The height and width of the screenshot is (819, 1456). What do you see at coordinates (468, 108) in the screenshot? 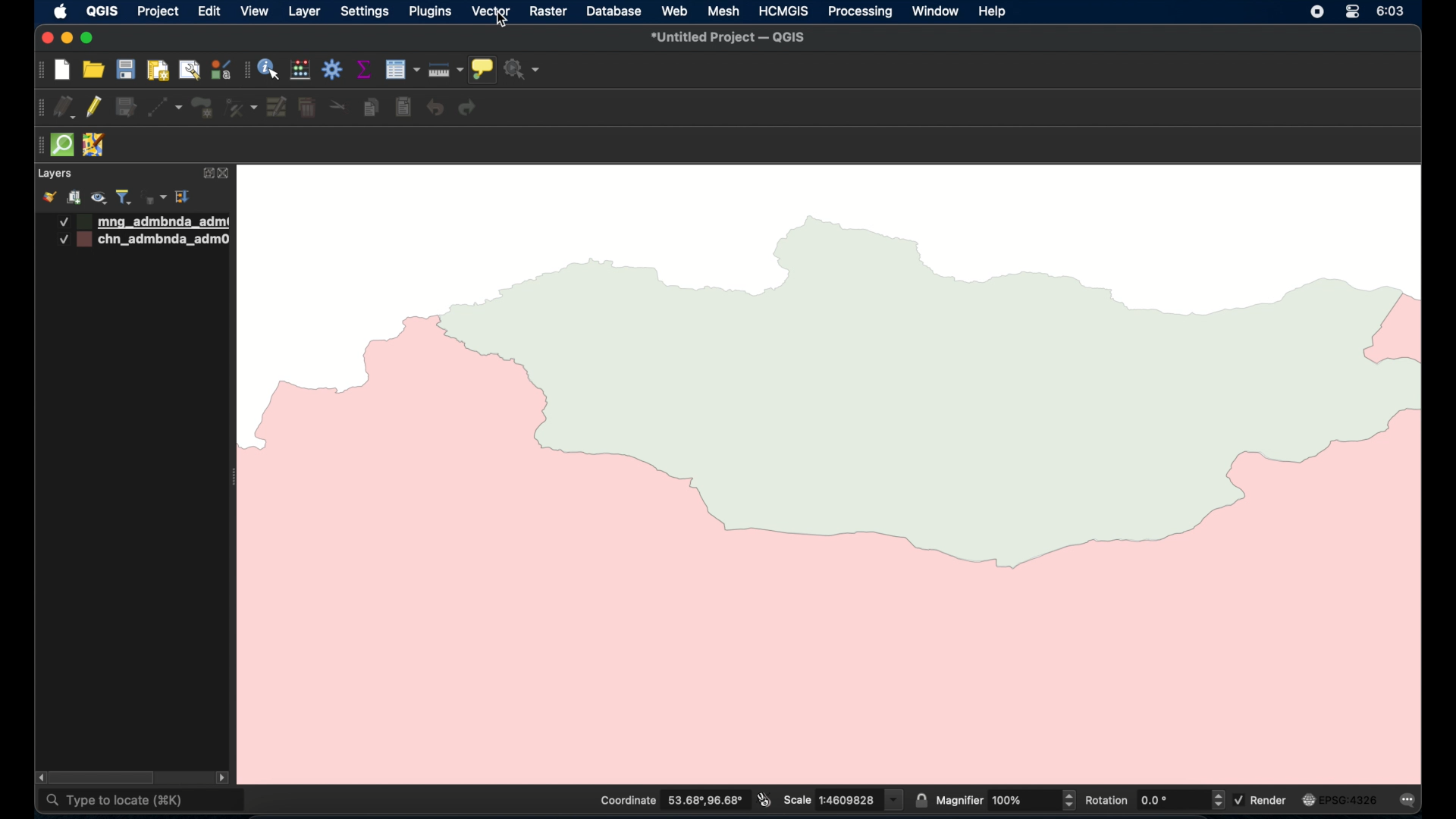
I see `redo` at bounding box center [468, 108].